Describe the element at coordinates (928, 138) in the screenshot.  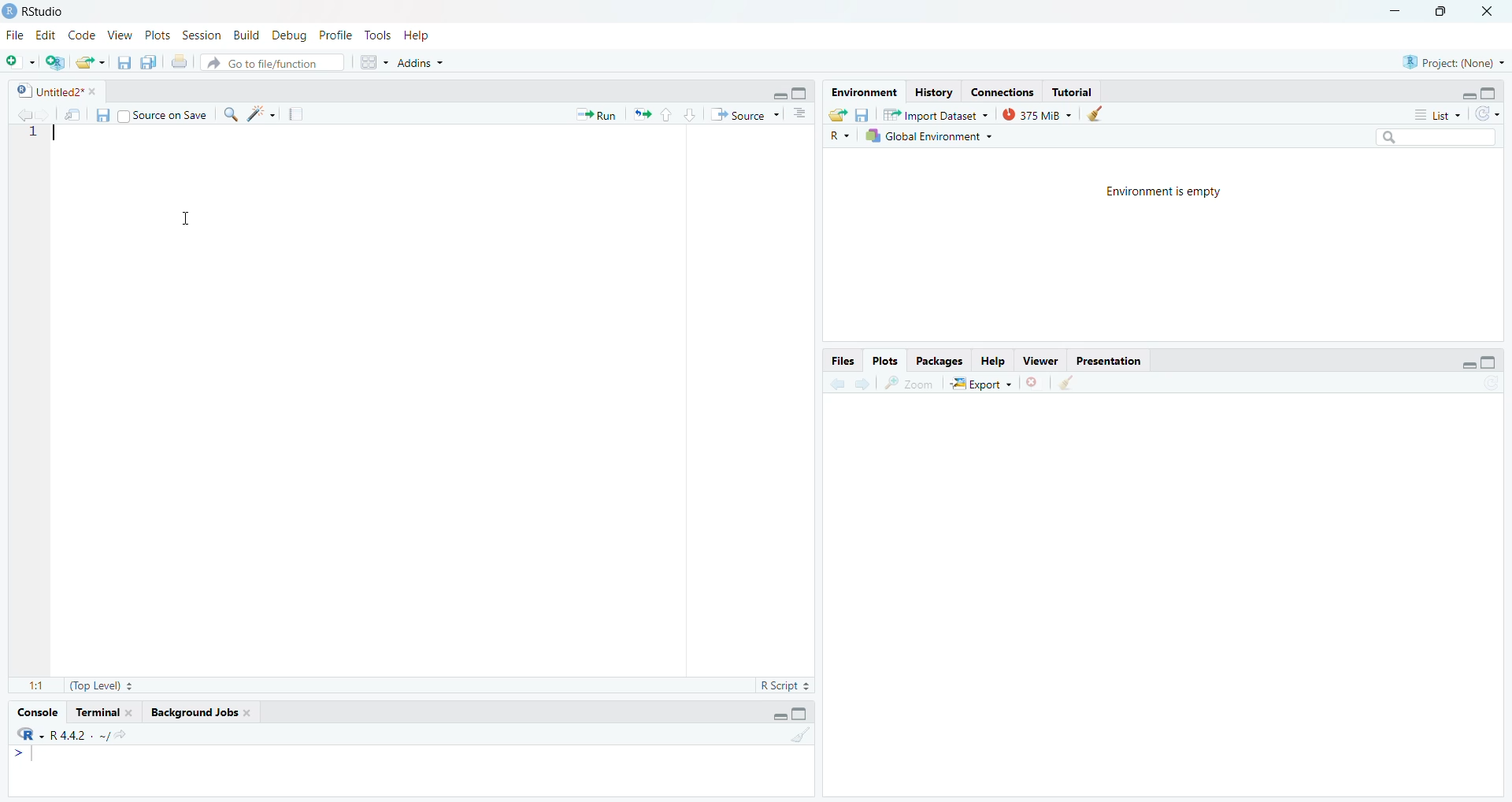
I see `1h Global Environment +` at that location.